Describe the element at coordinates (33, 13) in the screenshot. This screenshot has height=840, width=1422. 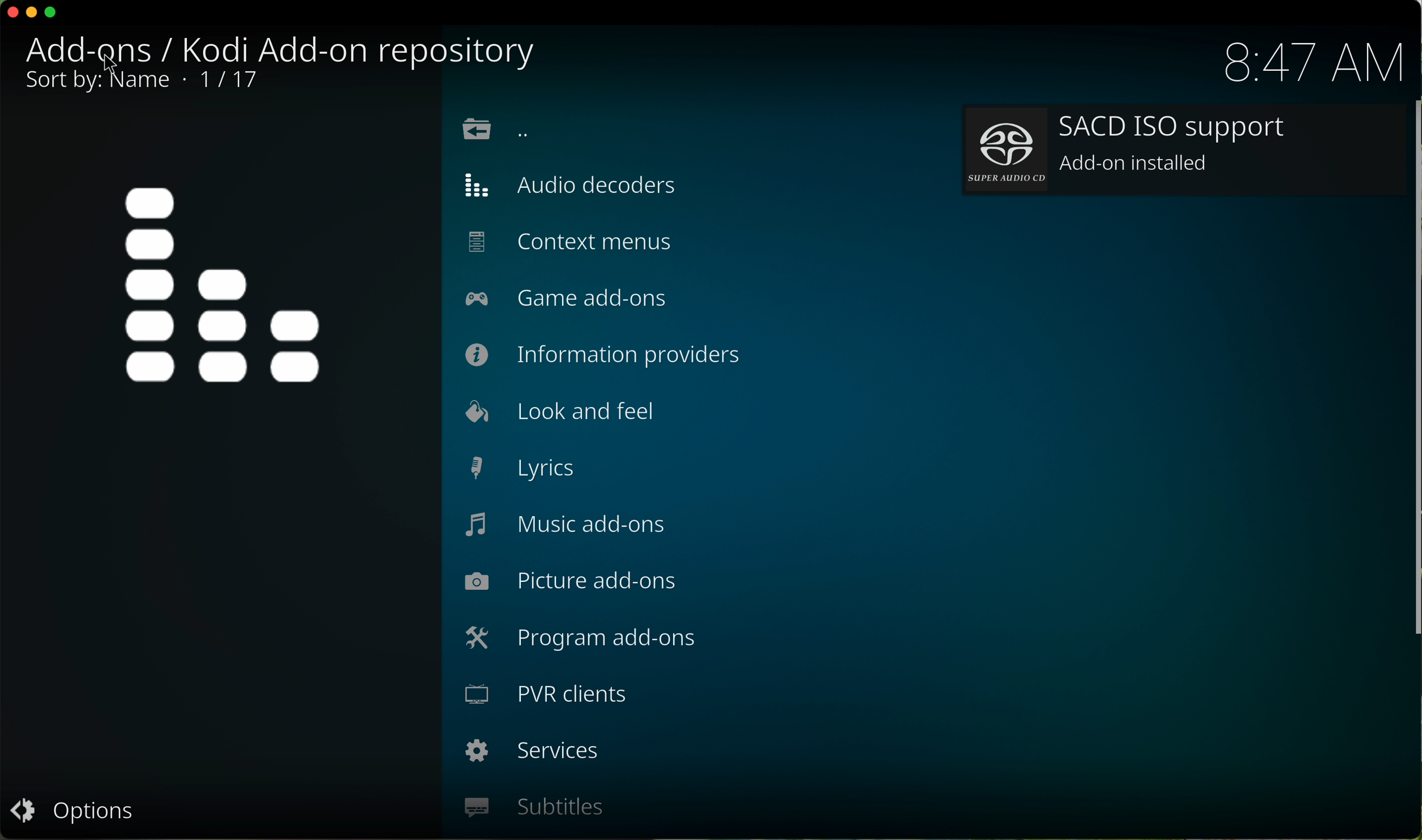
I see `minimize program` at that location.